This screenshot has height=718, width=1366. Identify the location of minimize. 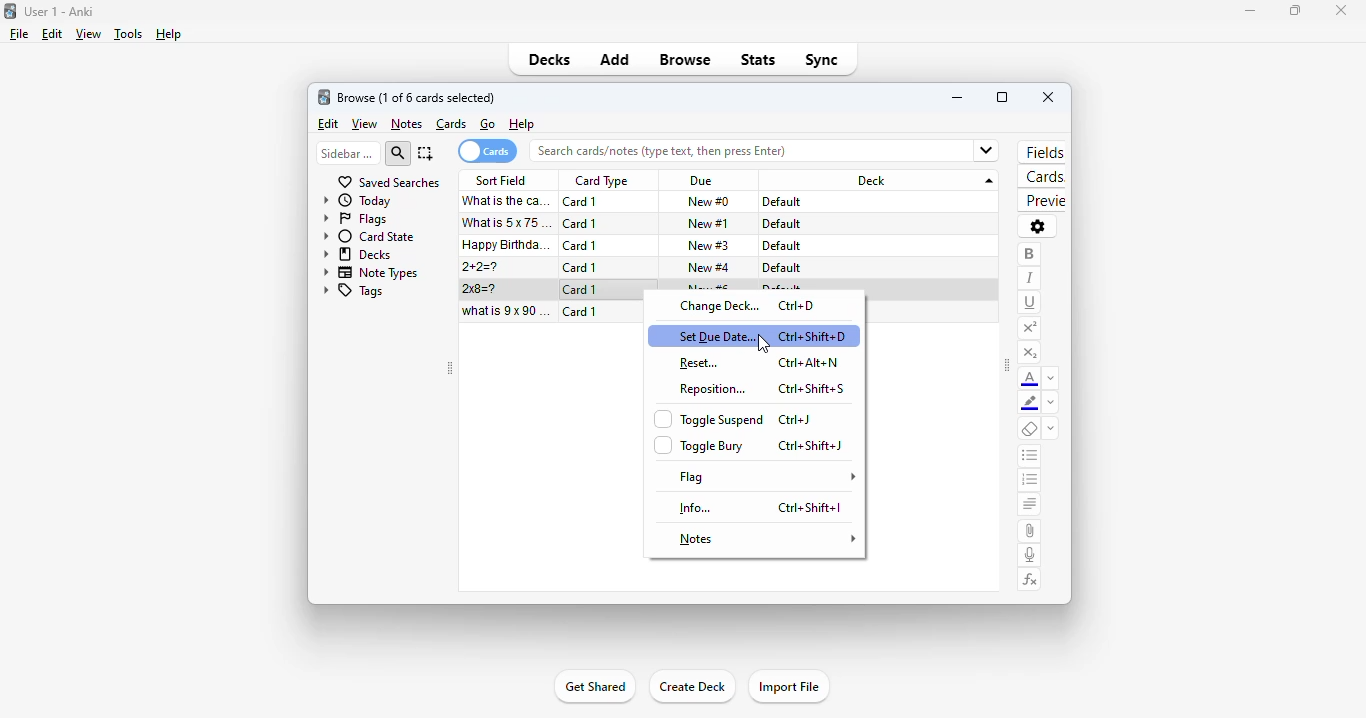
(1244, 11).